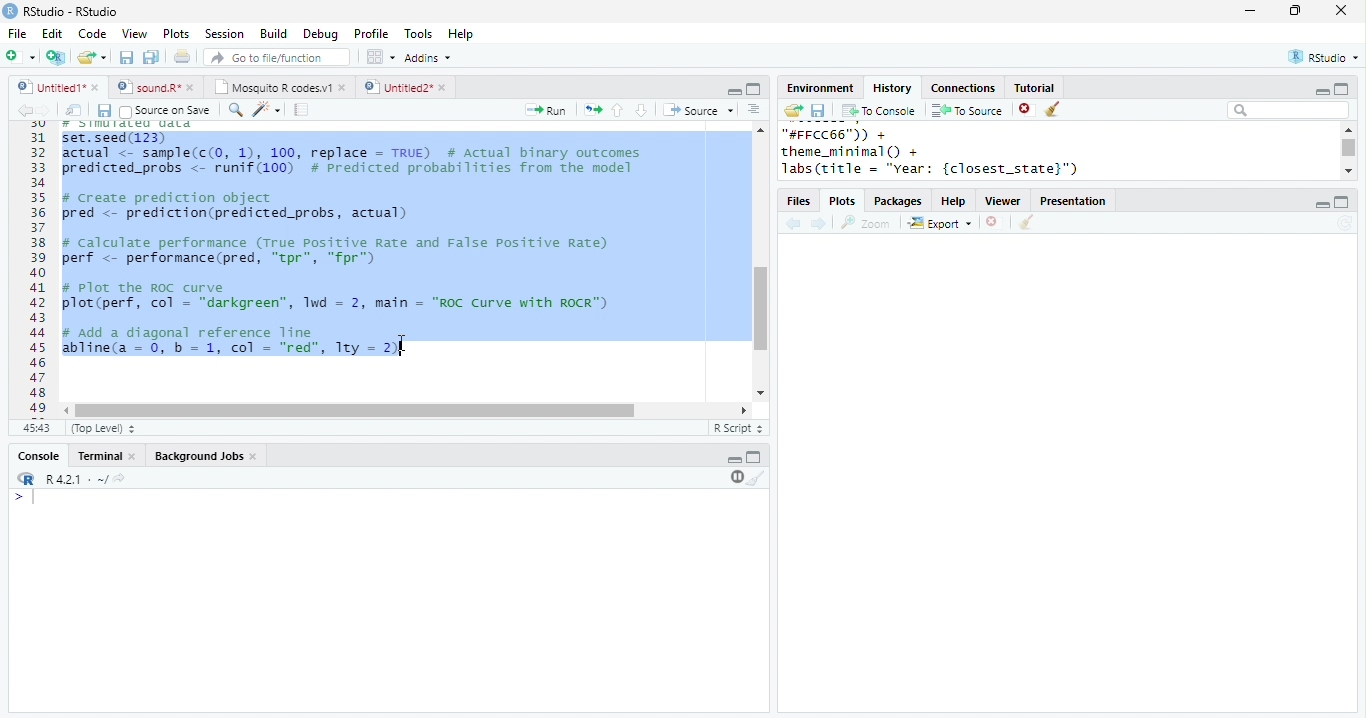 Image resolution: width=1366 pixels, height=718 pixels. Describe the element at coordinates (278, 57) in the screenshot. I see `search file` at that location.